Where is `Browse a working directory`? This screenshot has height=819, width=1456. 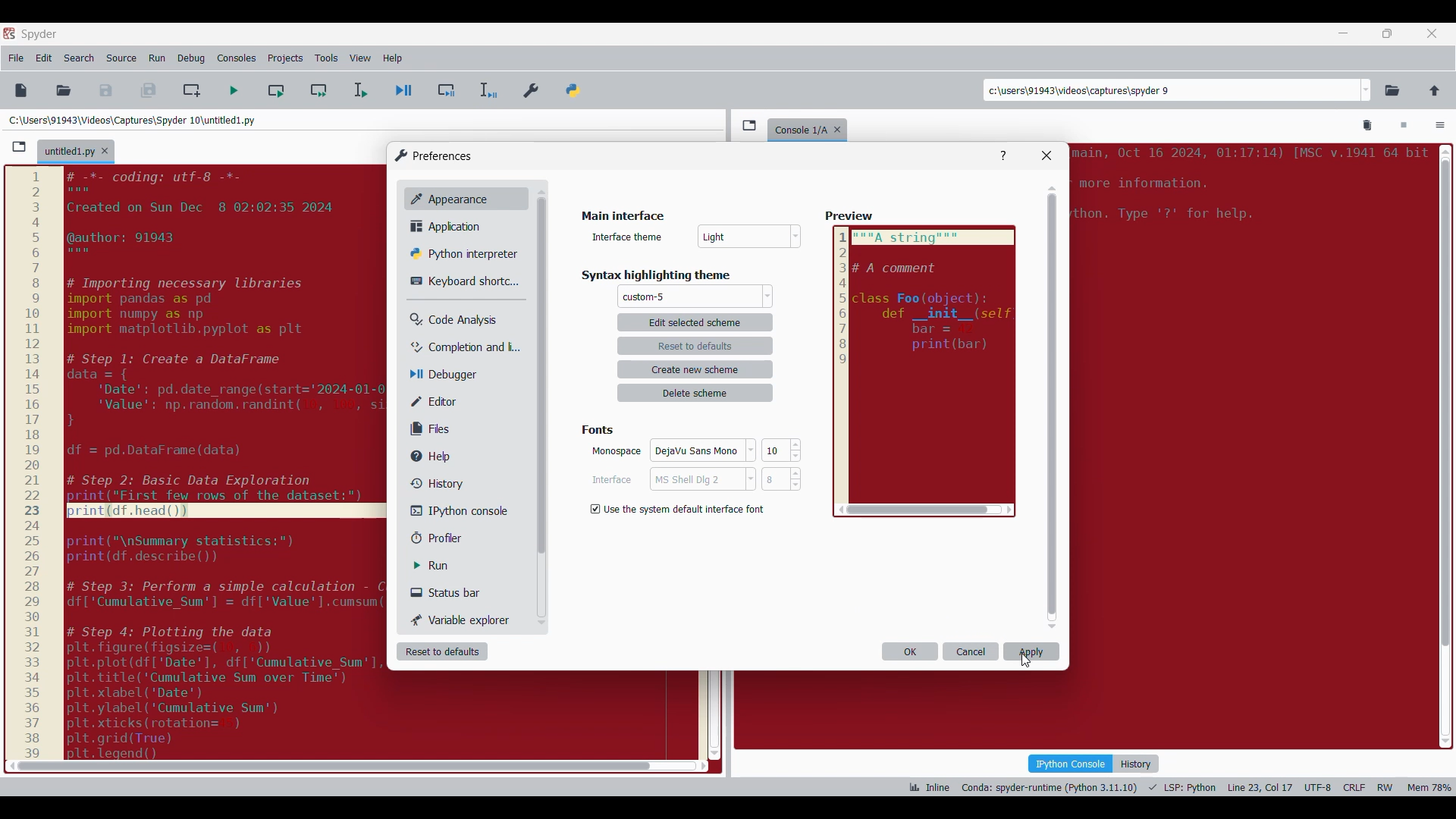 Browse a working directory is located at coordinates (1392, 90).